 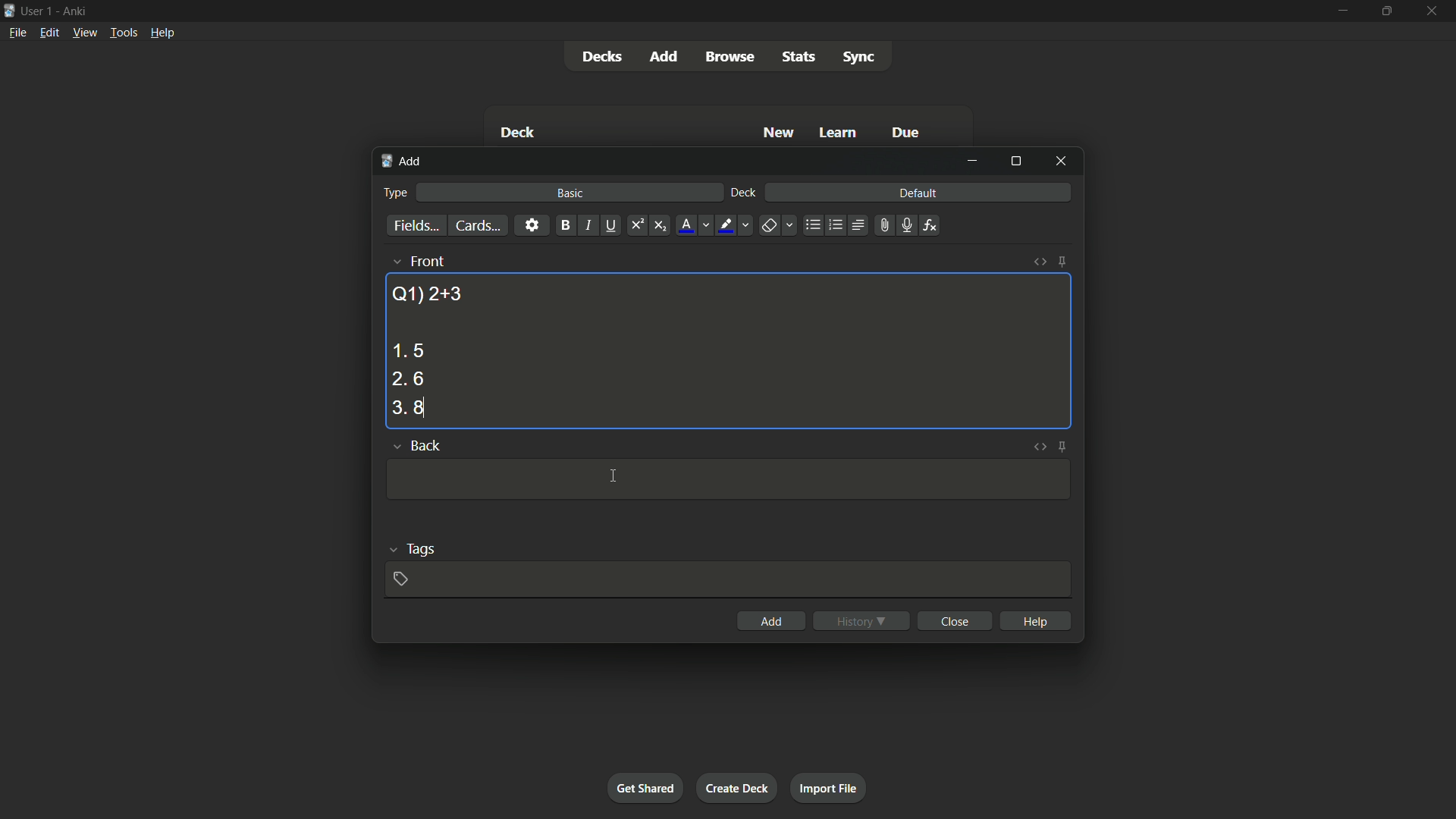 I want to click on minimize, so click(x=1341, y=10).